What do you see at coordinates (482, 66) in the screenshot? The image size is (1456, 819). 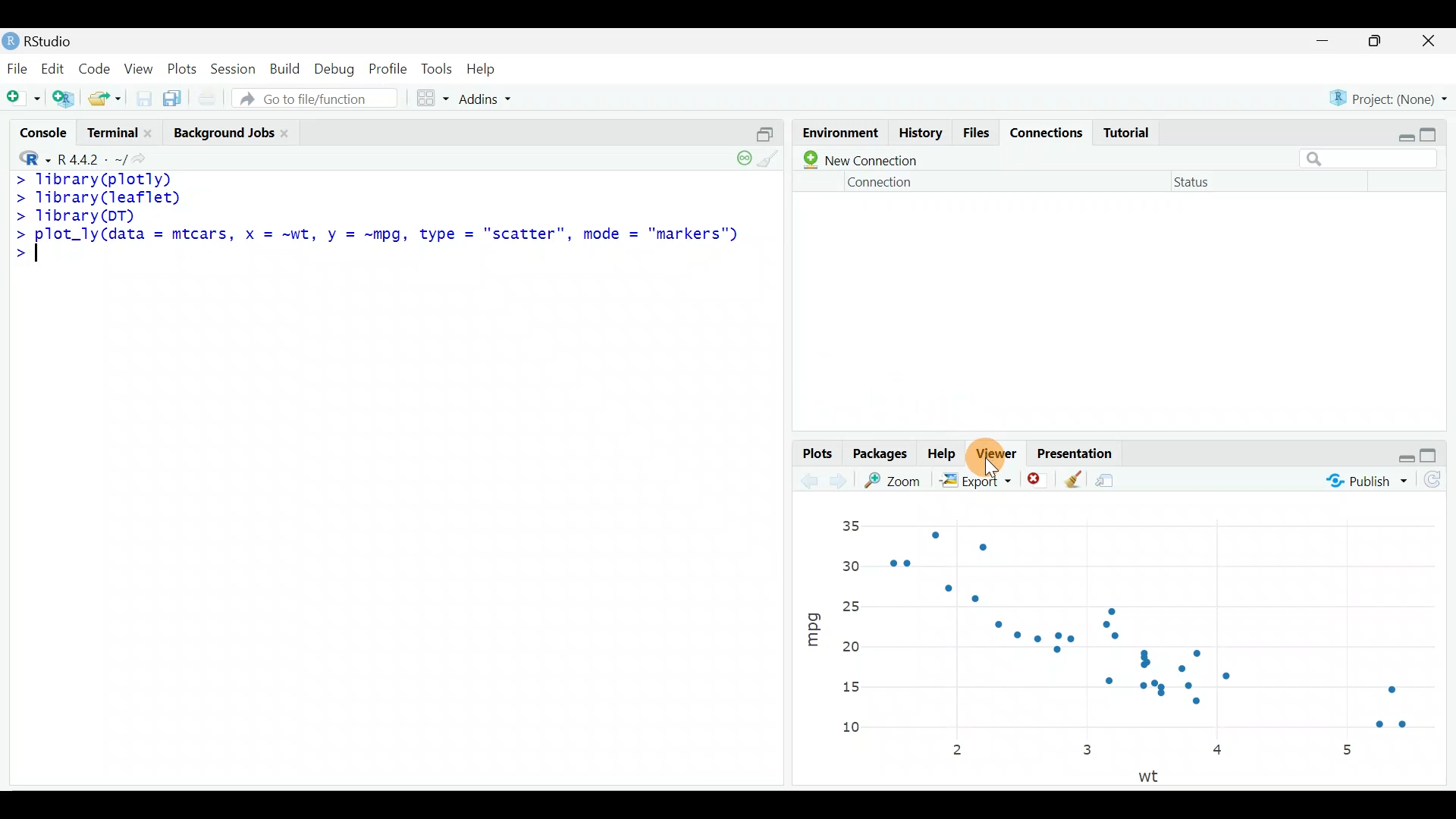 I see `Help` at bounding box center [482, 66].